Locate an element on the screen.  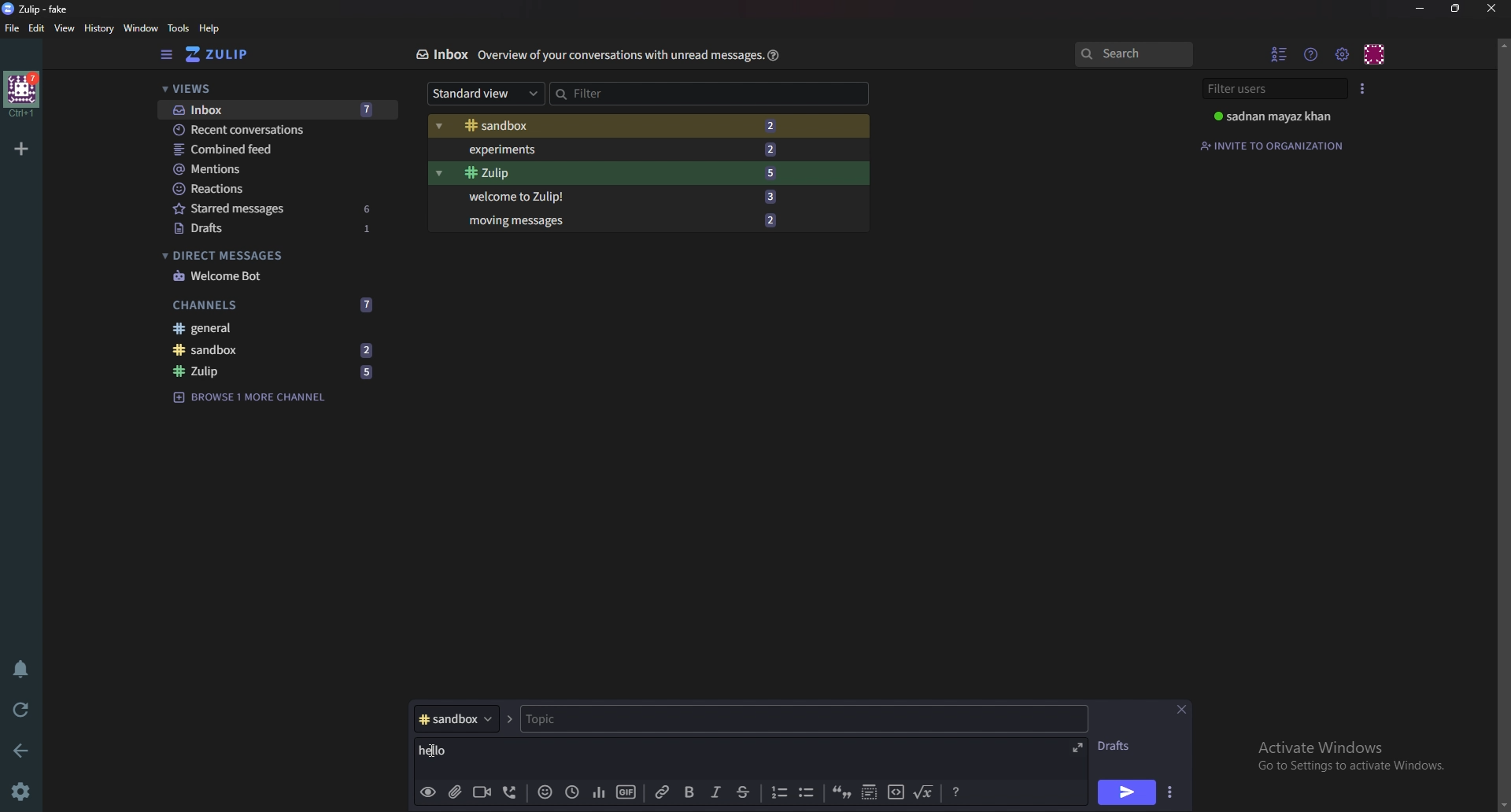
hello is located at coordinates (456, 751).